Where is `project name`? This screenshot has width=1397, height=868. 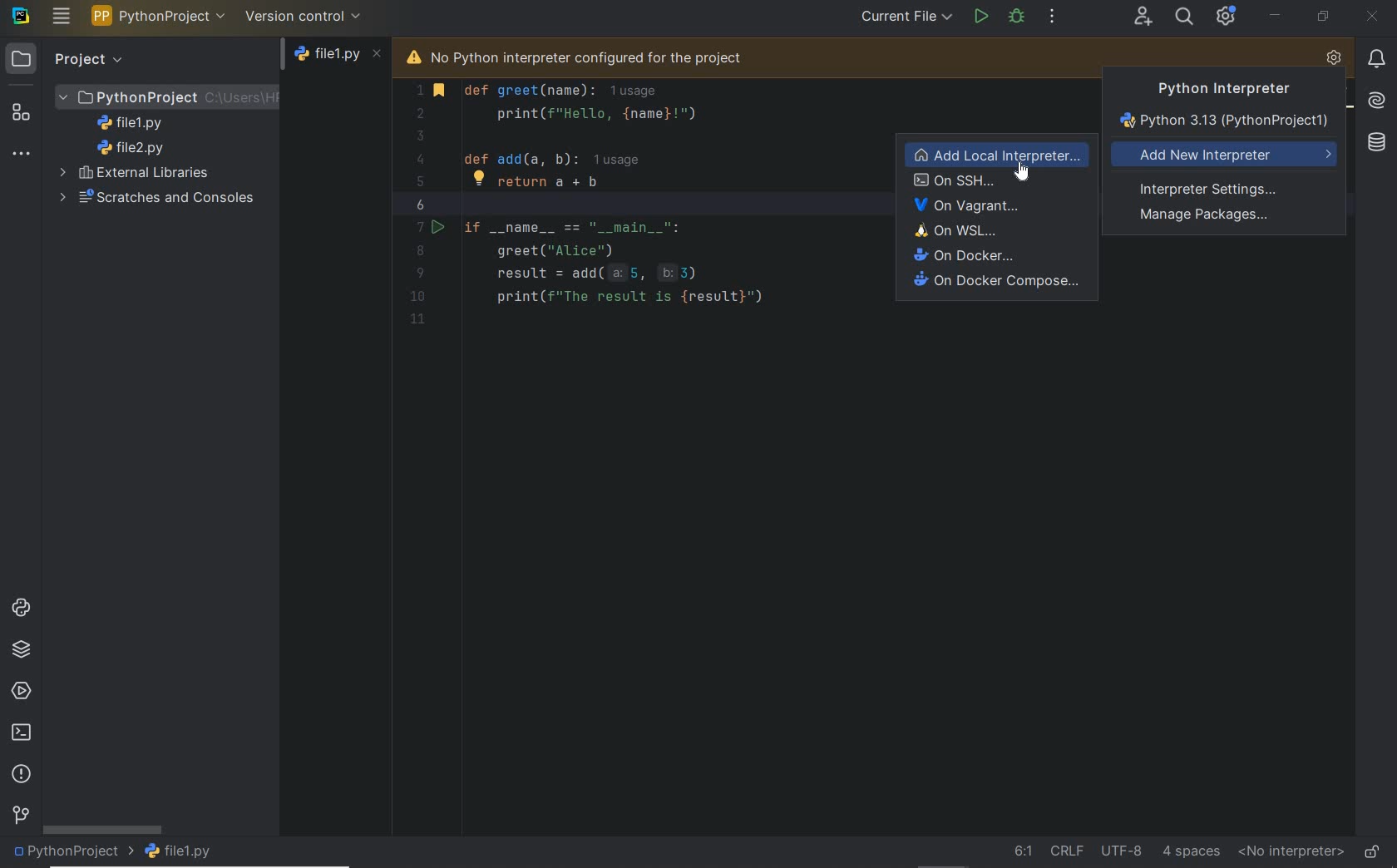 project name is located at coordinates (72, 853).